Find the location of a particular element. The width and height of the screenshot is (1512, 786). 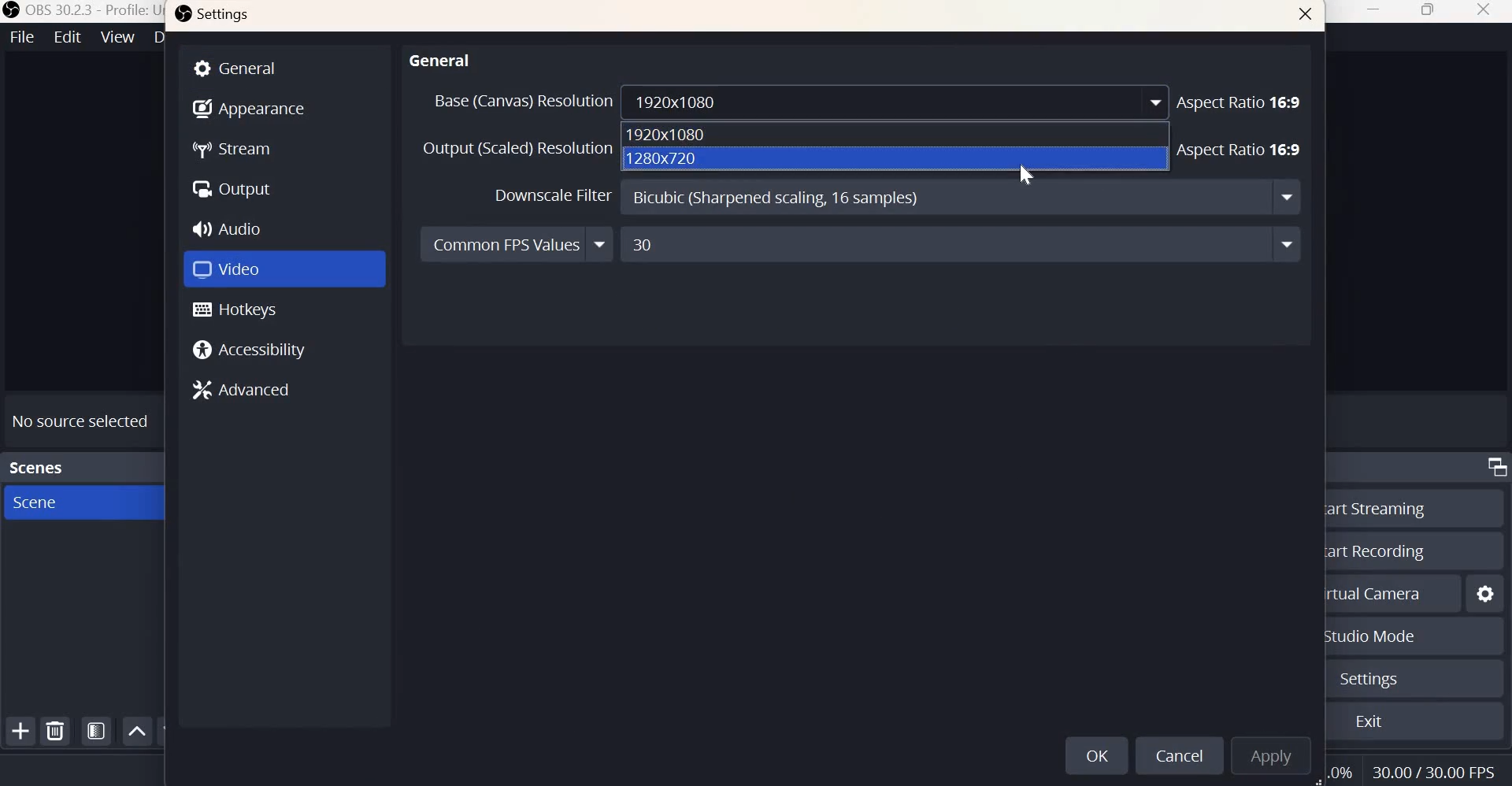

Downscale Filter is located at coordinates (554, 196).